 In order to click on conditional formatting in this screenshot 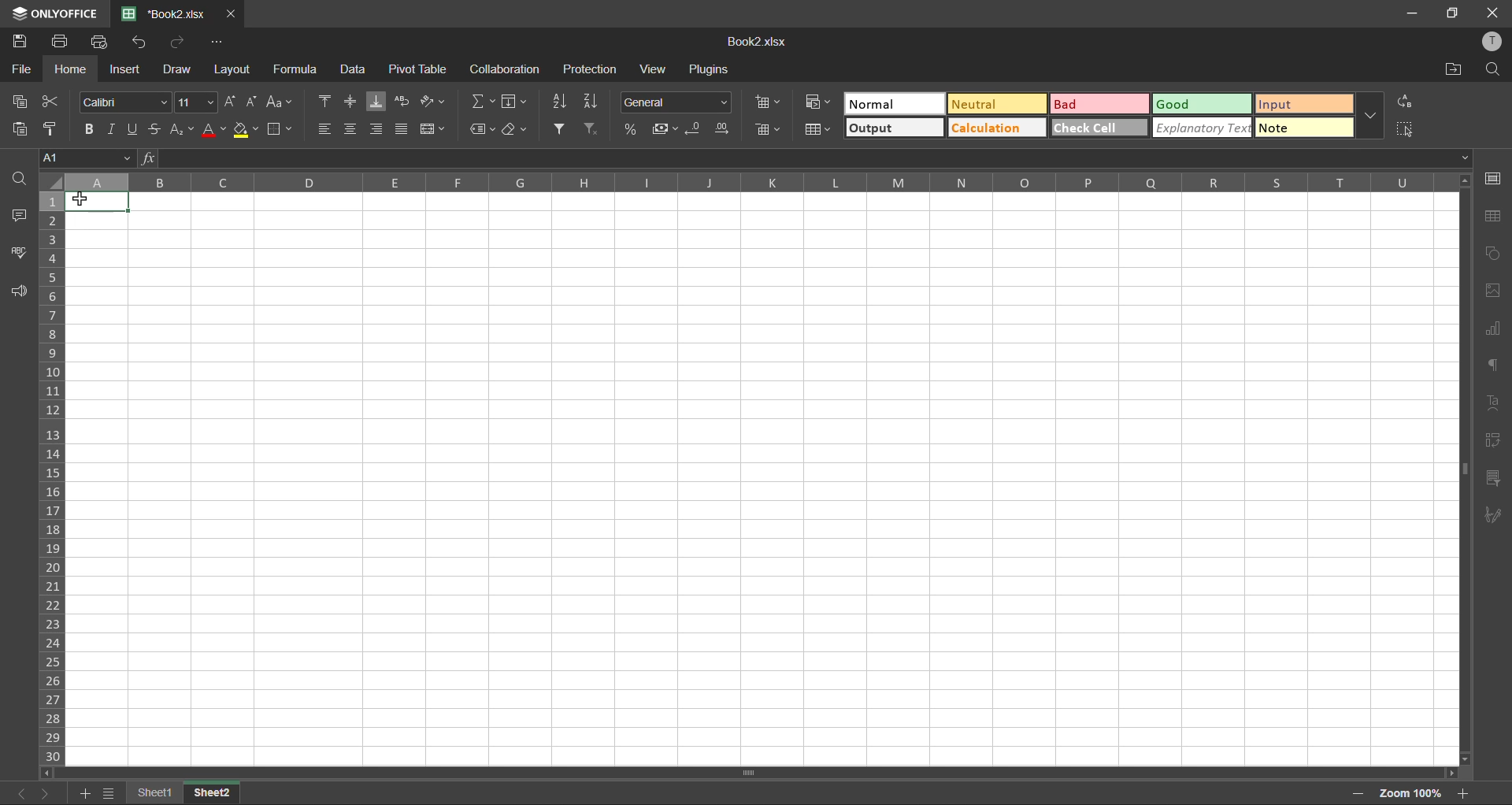, I will do `click(822, 101)`.